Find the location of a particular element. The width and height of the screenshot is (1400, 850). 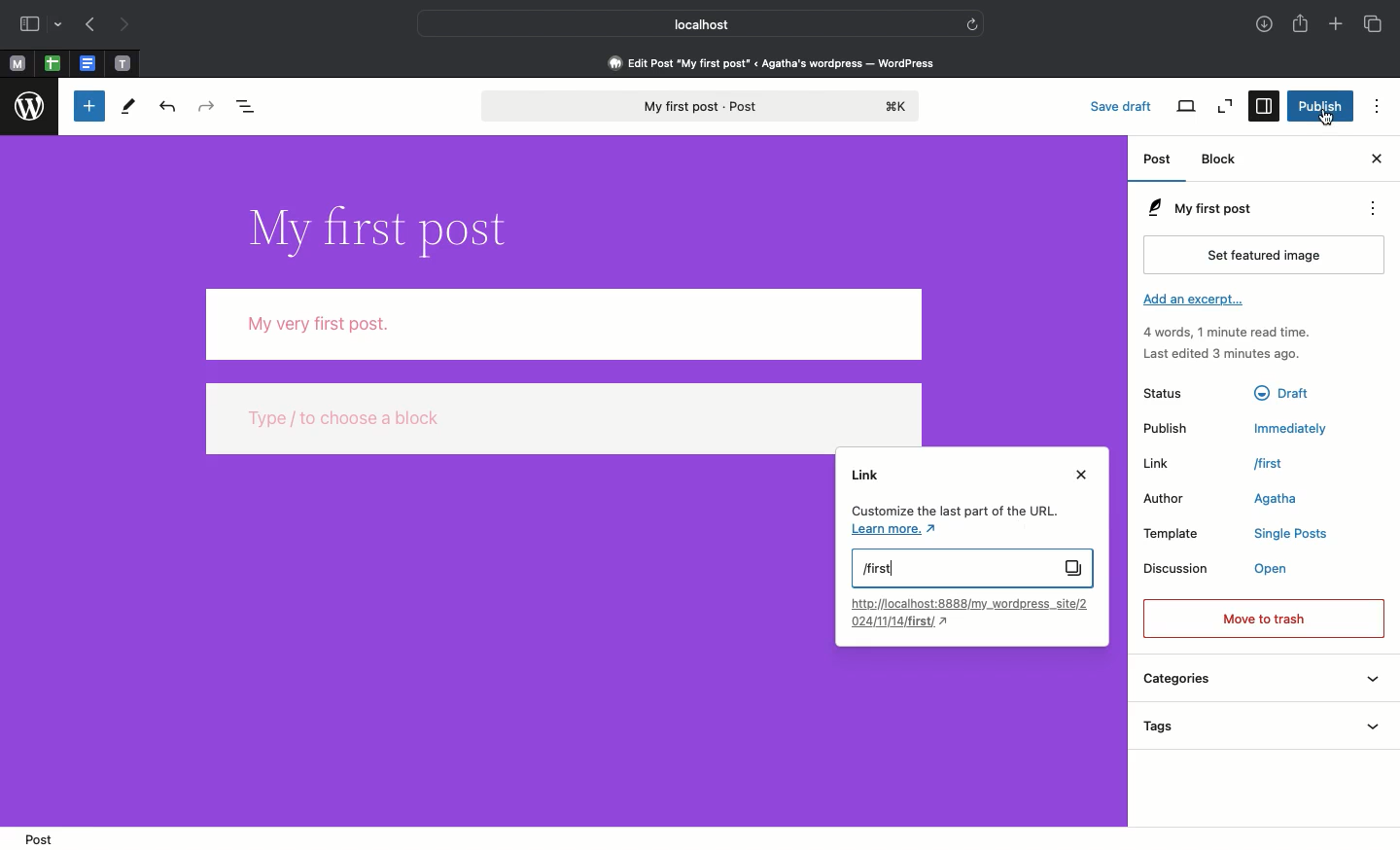

New concise URL is located at coordinates (965, 612).